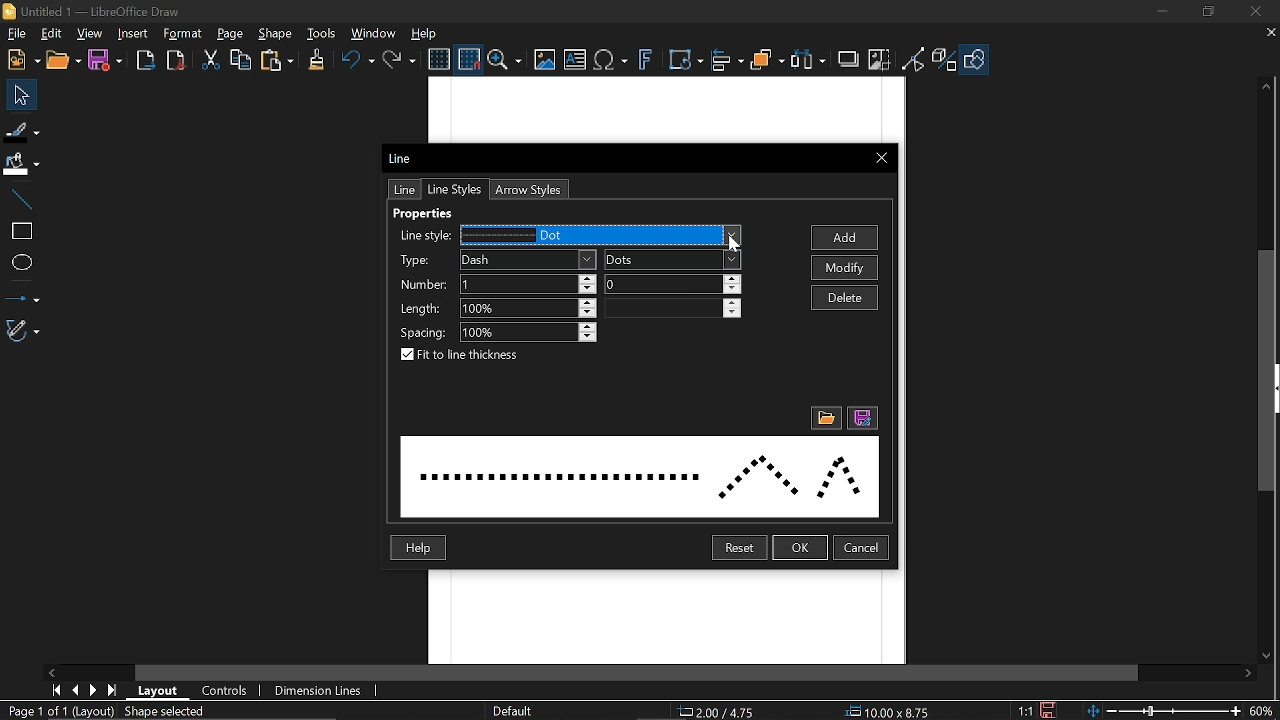 The image size is (1280, 720). What do you see at coordinates (1164, 12) in the screenshot?
I see `Minimize` at bounding box center [1164, 12].